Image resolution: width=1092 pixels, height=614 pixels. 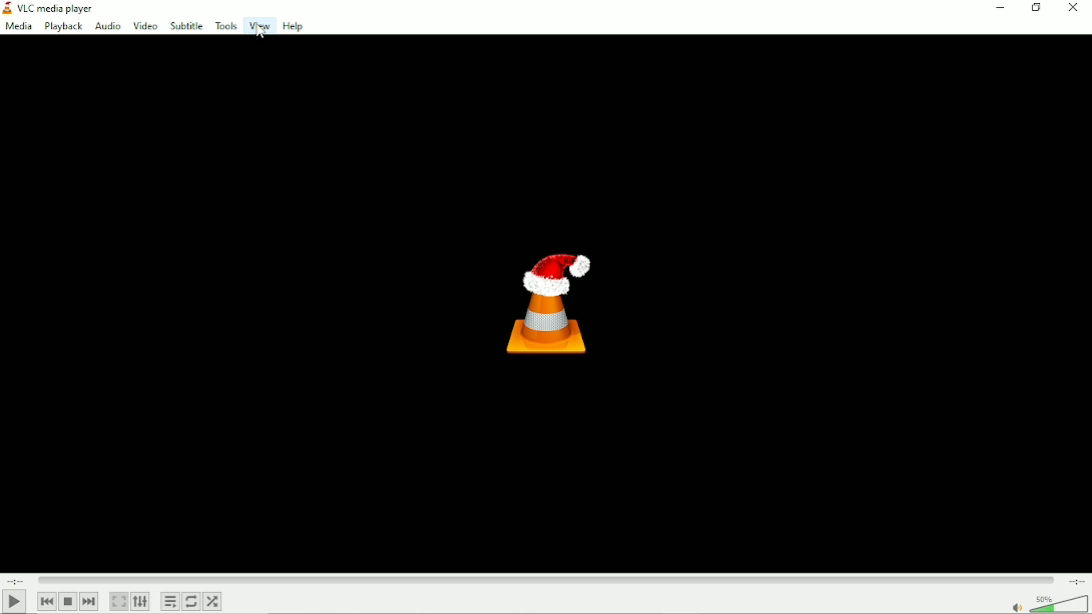 What do you see at coordinates (226, 23) in the screenshot?
I see `Tools` at bounding box center [226, 23].